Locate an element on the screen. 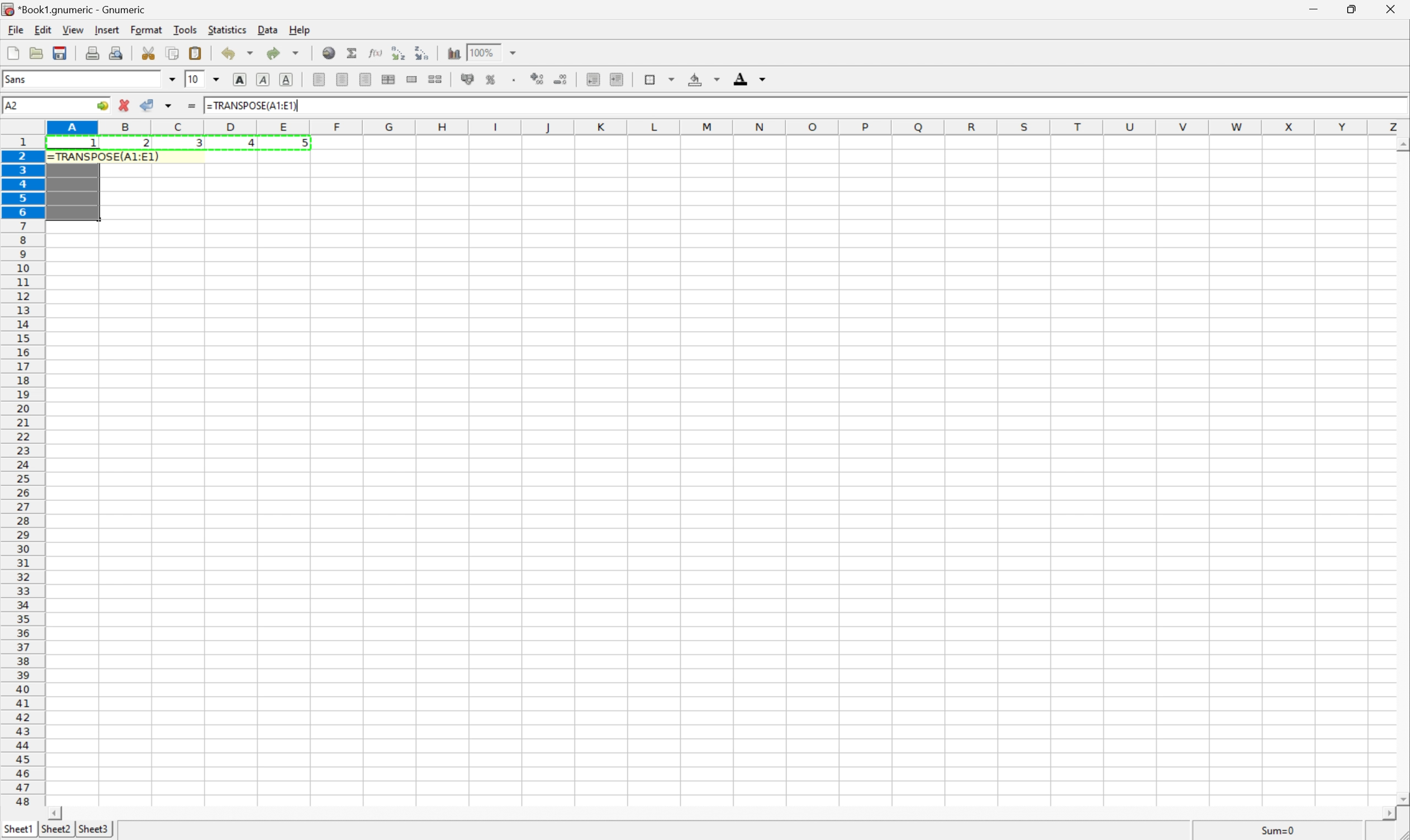 The height and width of the screenshot is (840, 1410). data is located at coordinates (266, 29).